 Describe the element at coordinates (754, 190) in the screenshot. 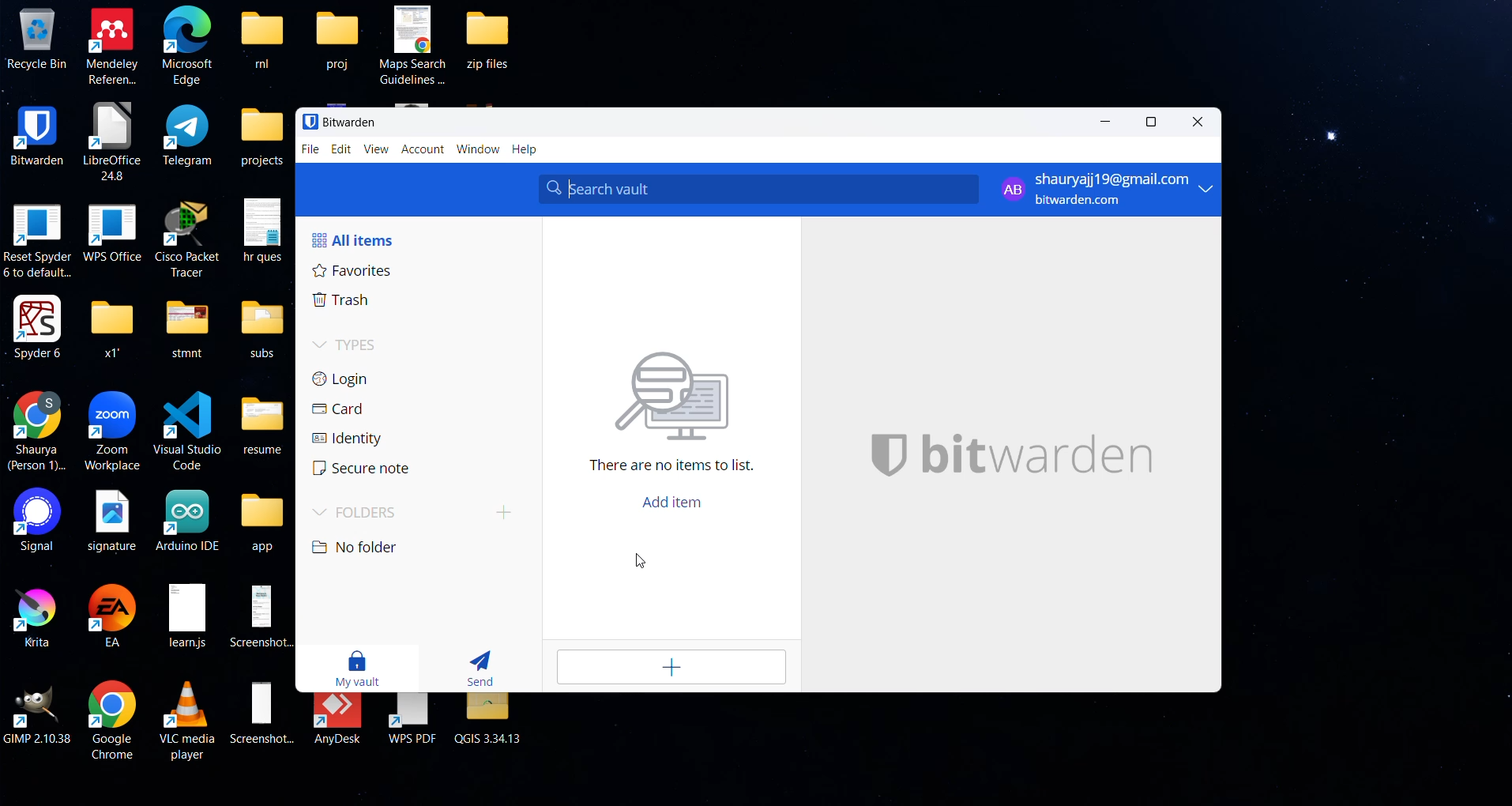

I see `search bar` at that location.